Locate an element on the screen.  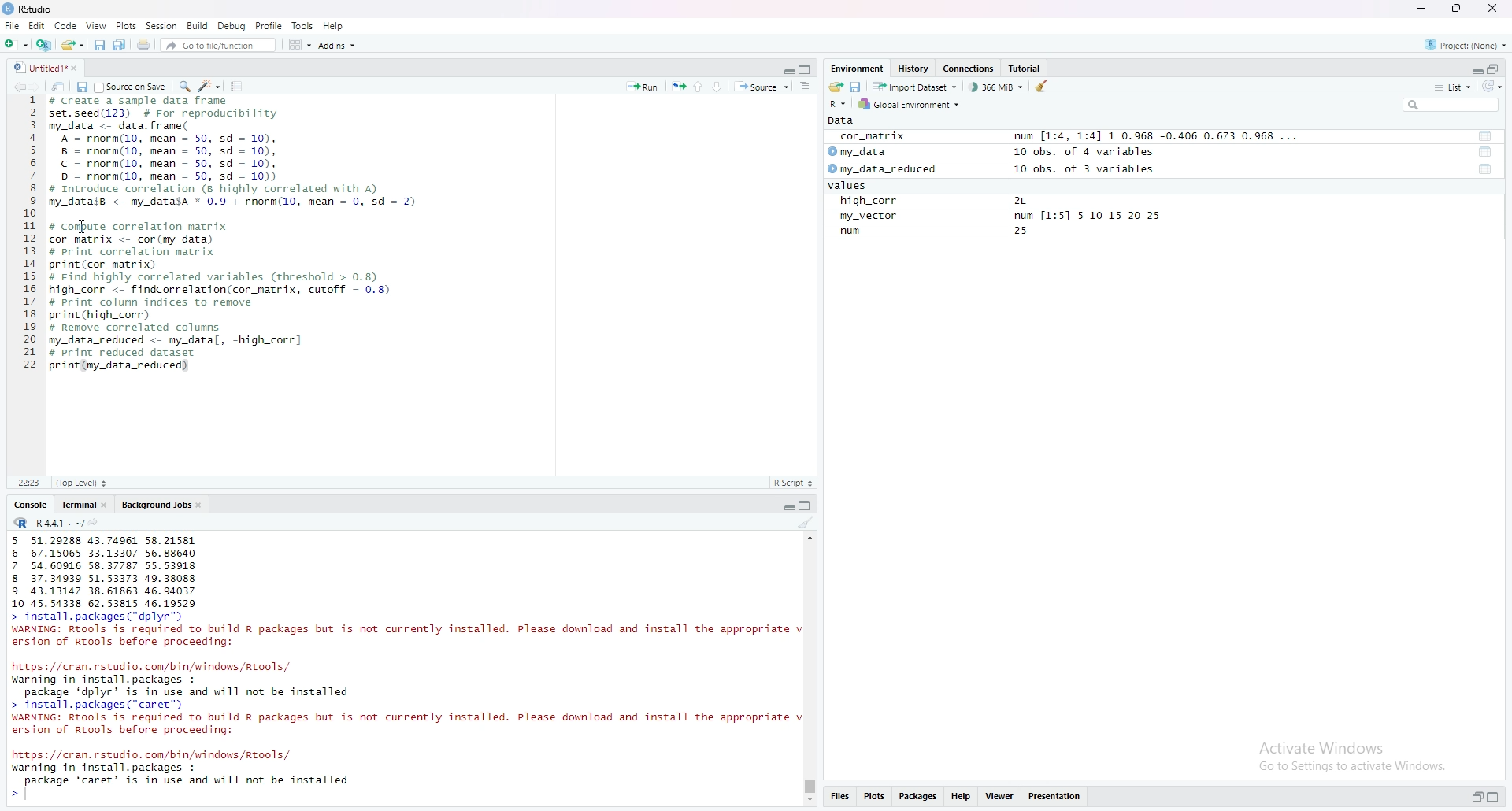
share is located at coordinates (94, 523).